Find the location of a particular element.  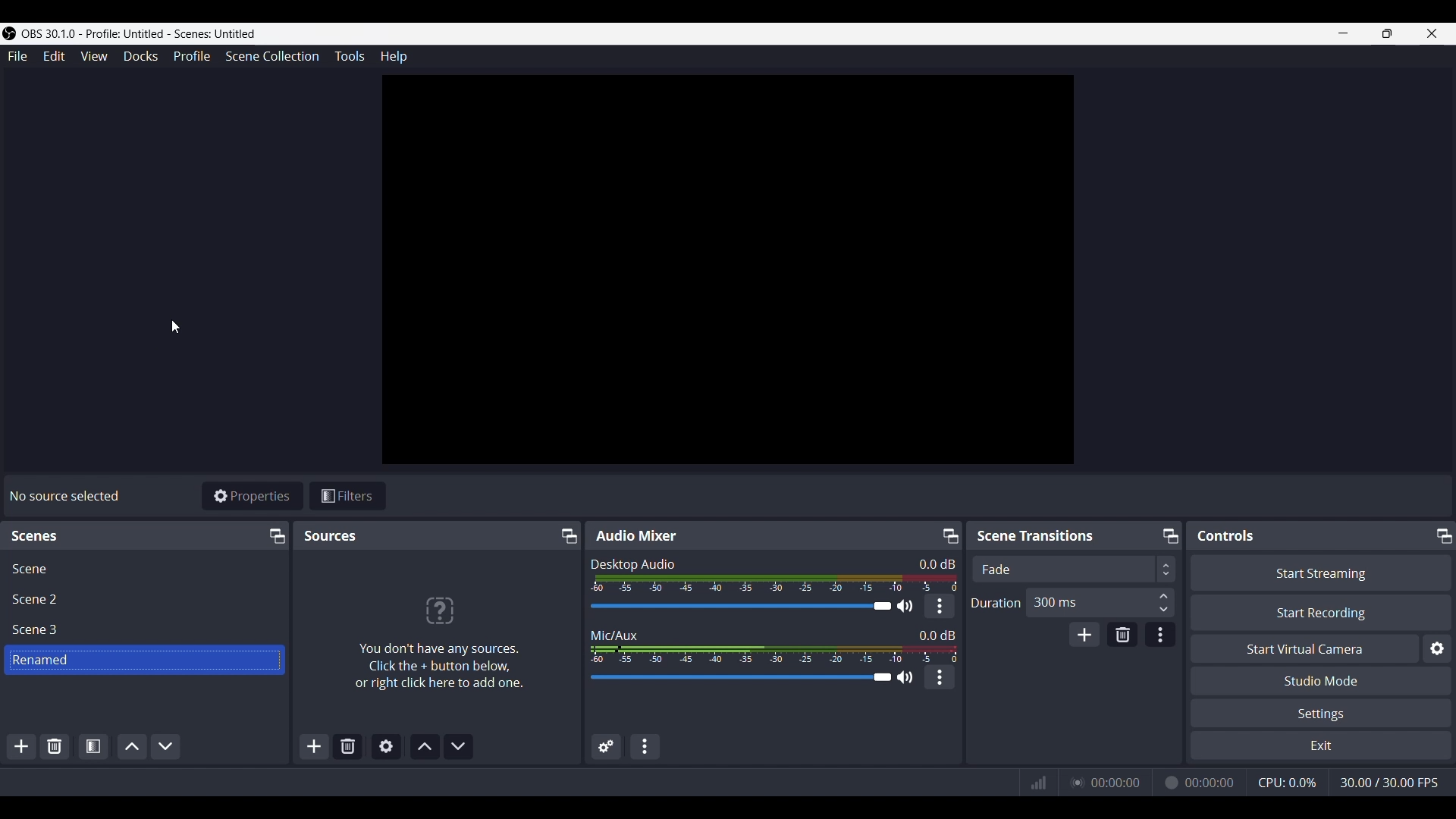

View is located at coordinates (93, 56).